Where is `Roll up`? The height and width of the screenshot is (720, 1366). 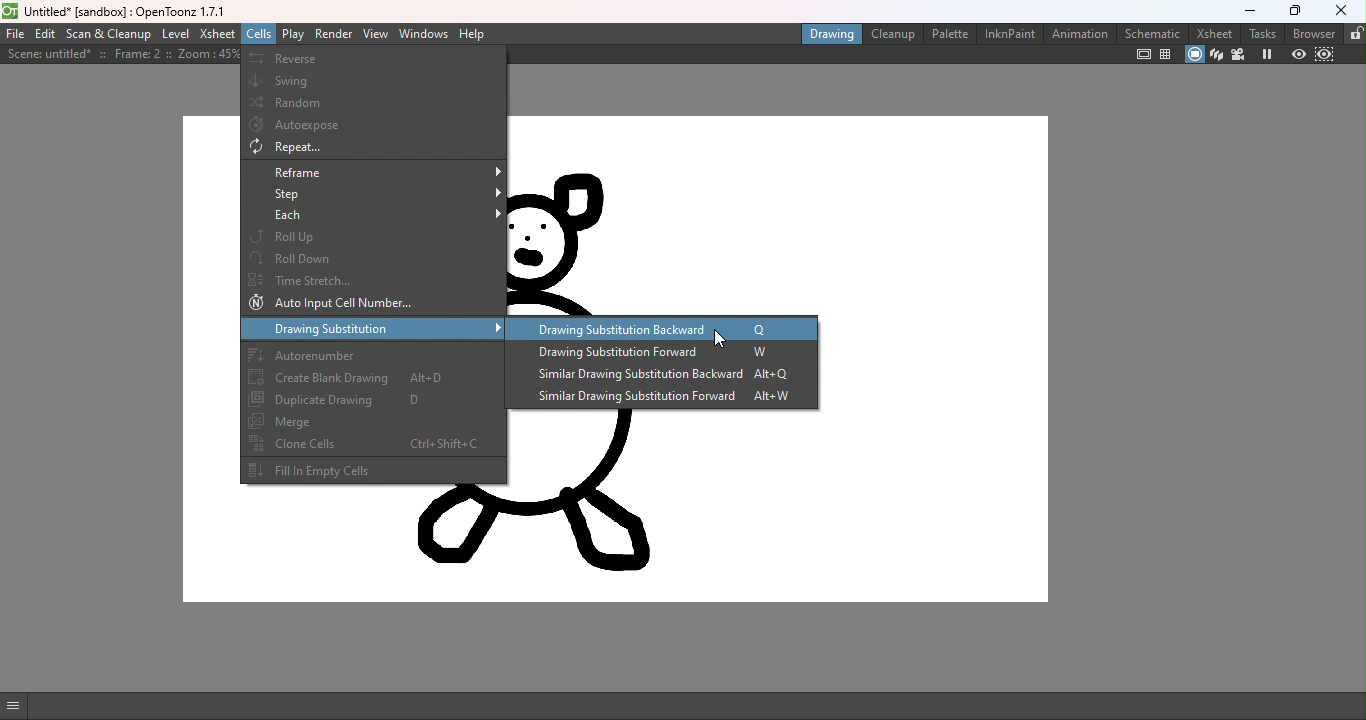
Roll up is located at coordinates (375, 237).